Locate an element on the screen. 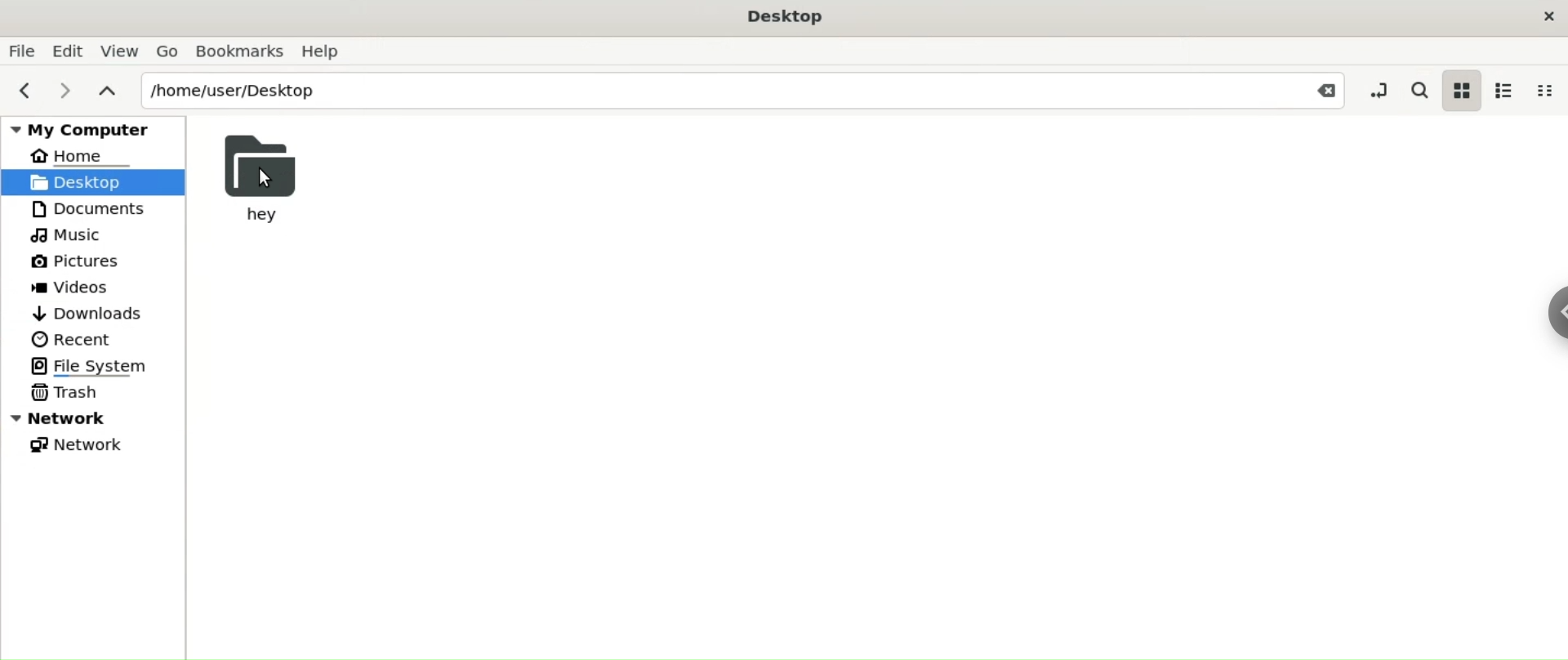 This screenshot has height=660, width=1568. Music is located at coordinates (70, 234).